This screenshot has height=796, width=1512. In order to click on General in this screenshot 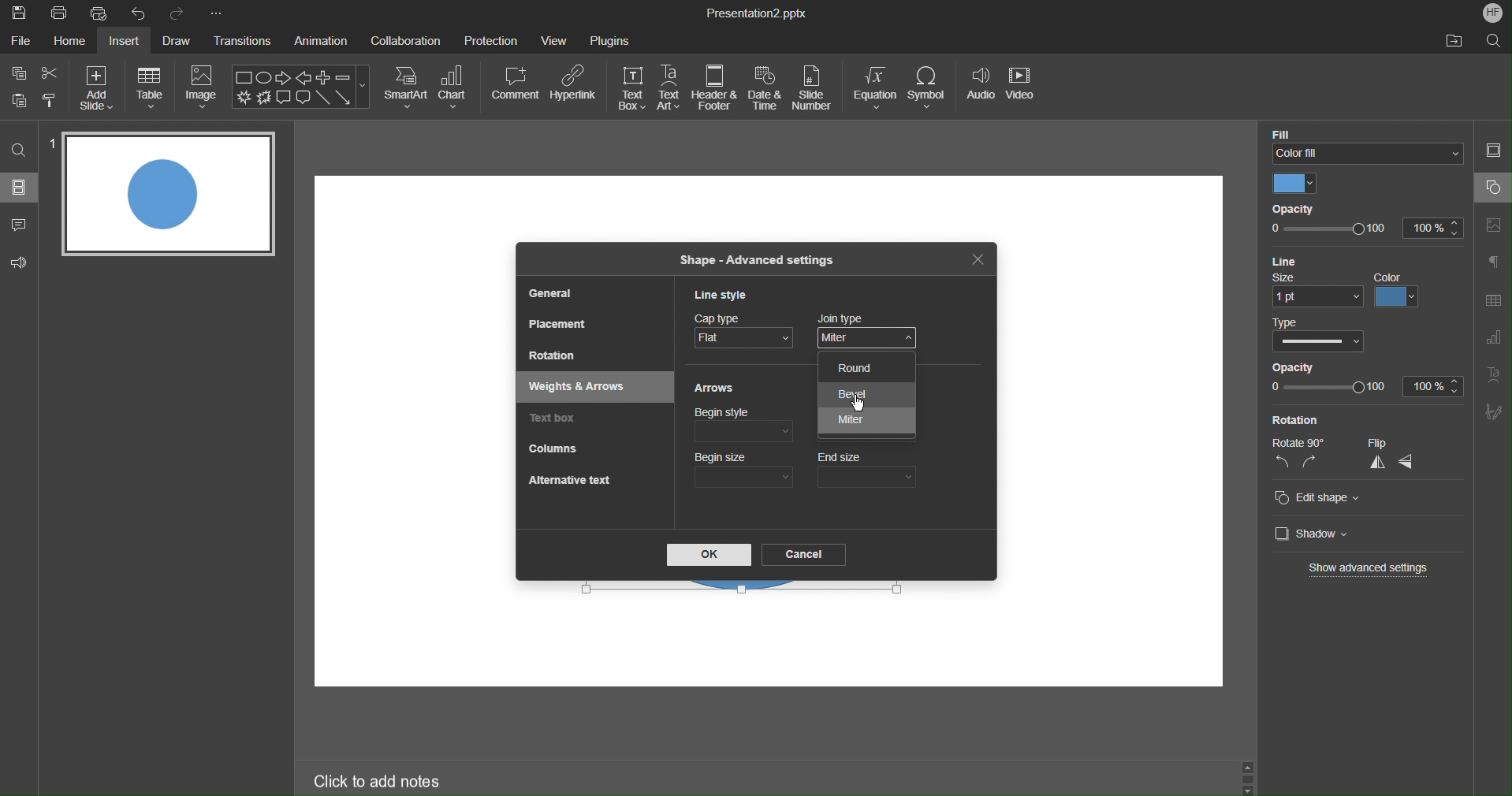, I will do `click(550, 293)`.